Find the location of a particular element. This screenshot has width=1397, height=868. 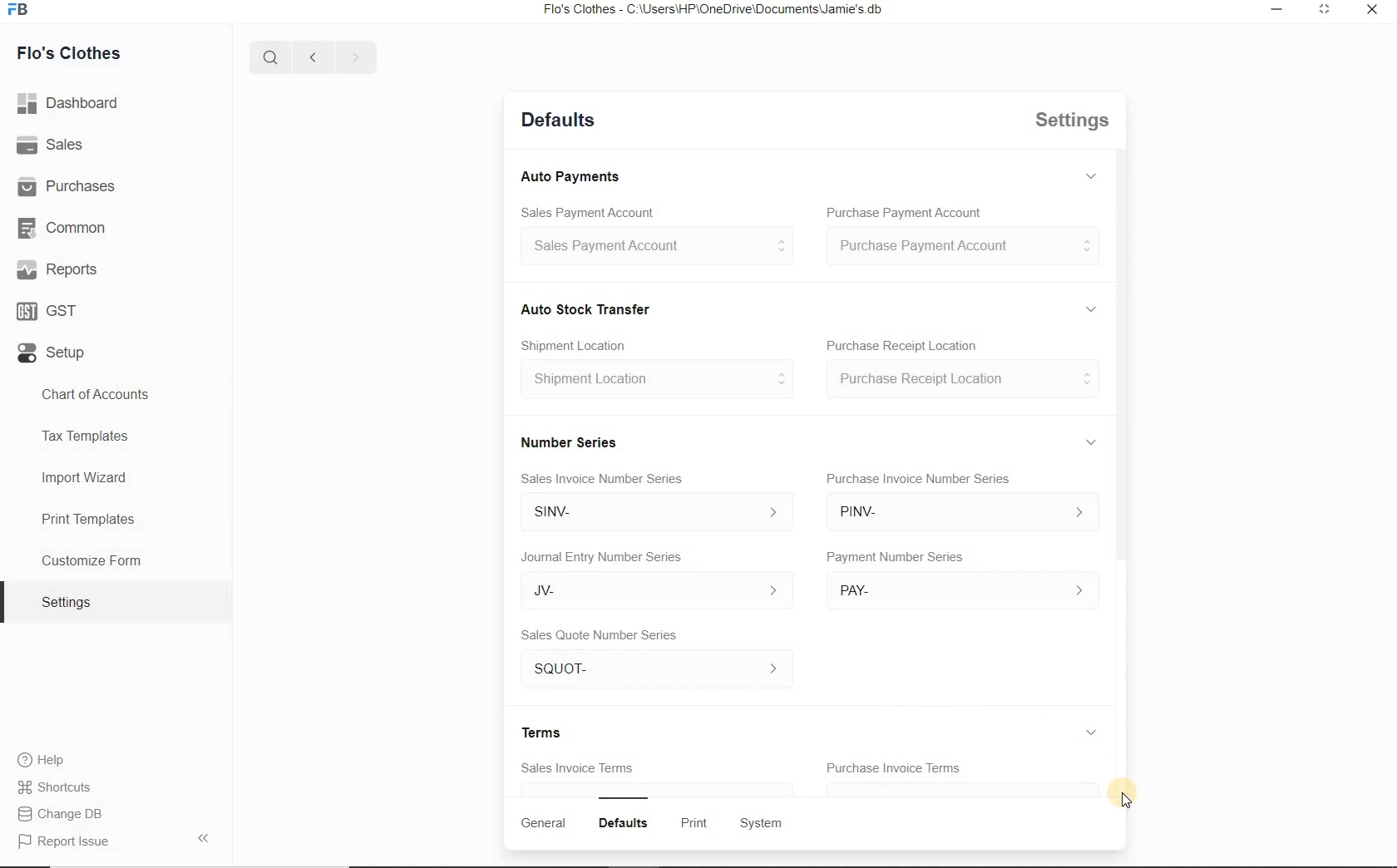

GST is located at coordinates (48, 311).